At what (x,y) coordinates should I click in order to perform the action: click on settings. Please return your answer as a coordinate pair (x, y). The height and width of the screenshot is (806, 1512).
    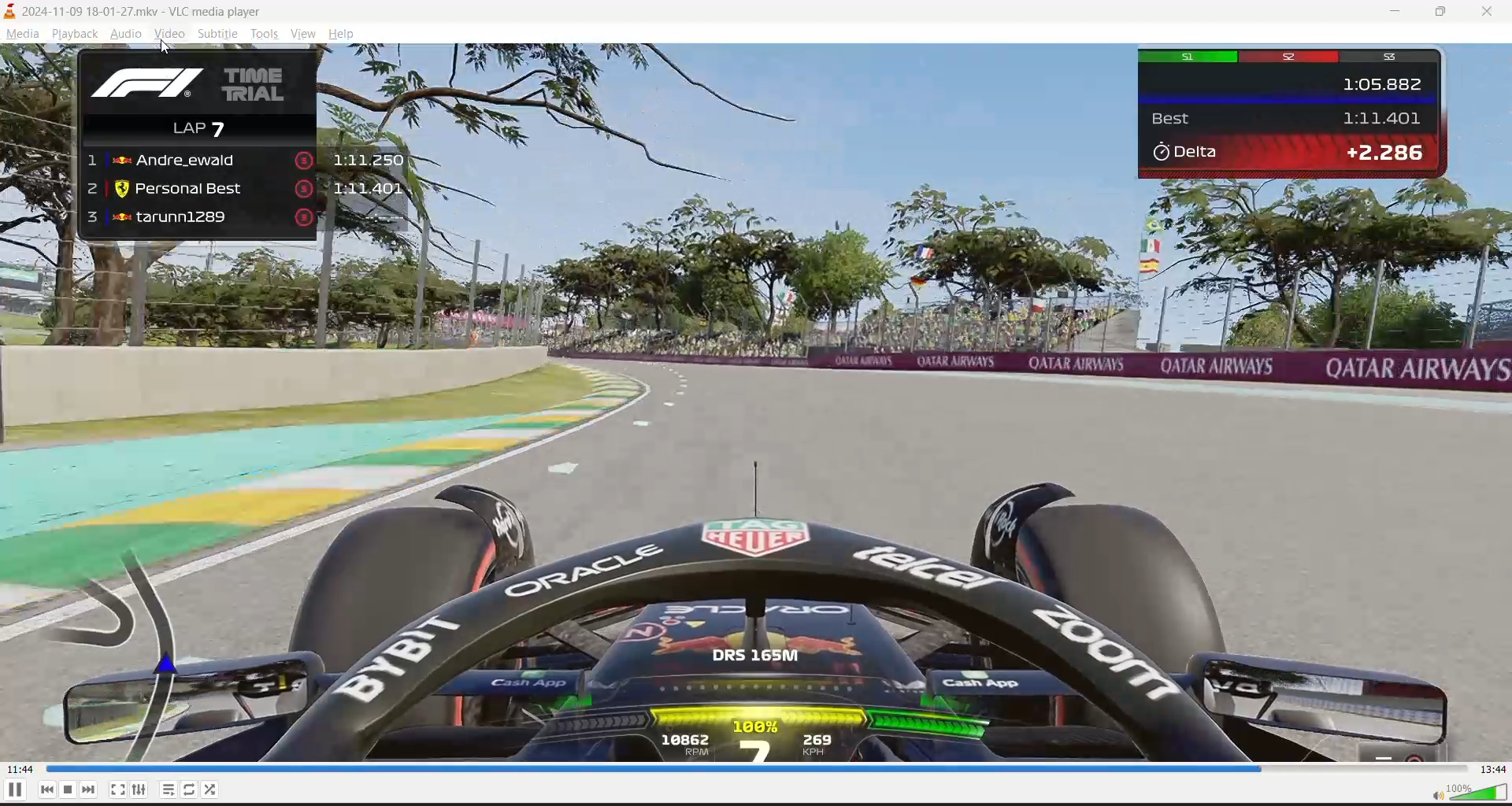
    Looking at the image, I should click on (141, 790).